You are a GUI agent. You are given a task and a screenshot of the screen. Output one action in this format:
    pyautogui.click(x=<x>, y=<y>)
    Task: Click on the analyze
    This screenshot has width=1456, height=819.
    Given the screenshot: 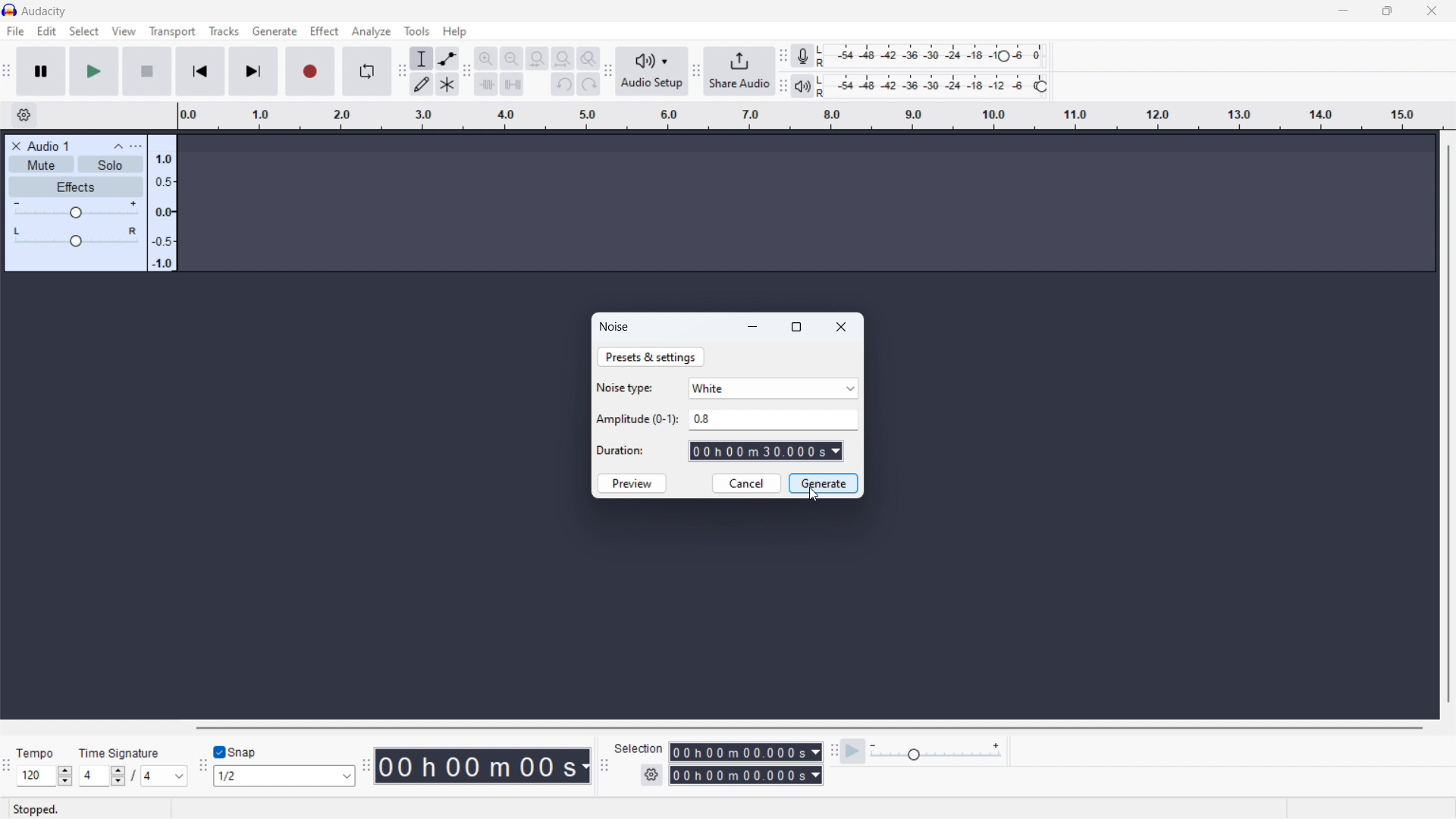 What is the action you would take?
    pyautogui.click(x=372, y=31)
    